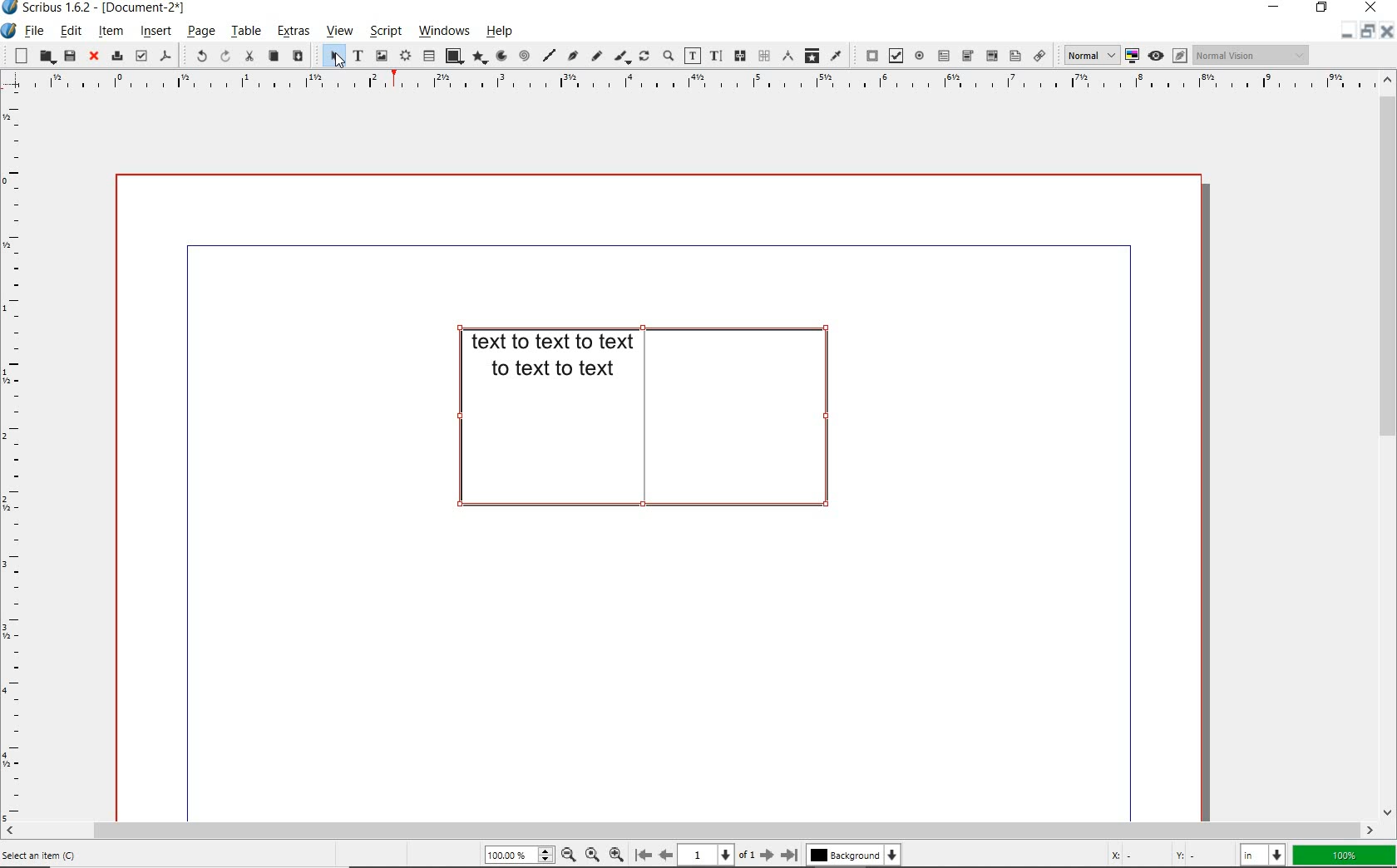 This screenshot has width=1397, height=868. Describe the element at coordinates (1133, 56) in the screenshot. I see `toggle color` at that location.